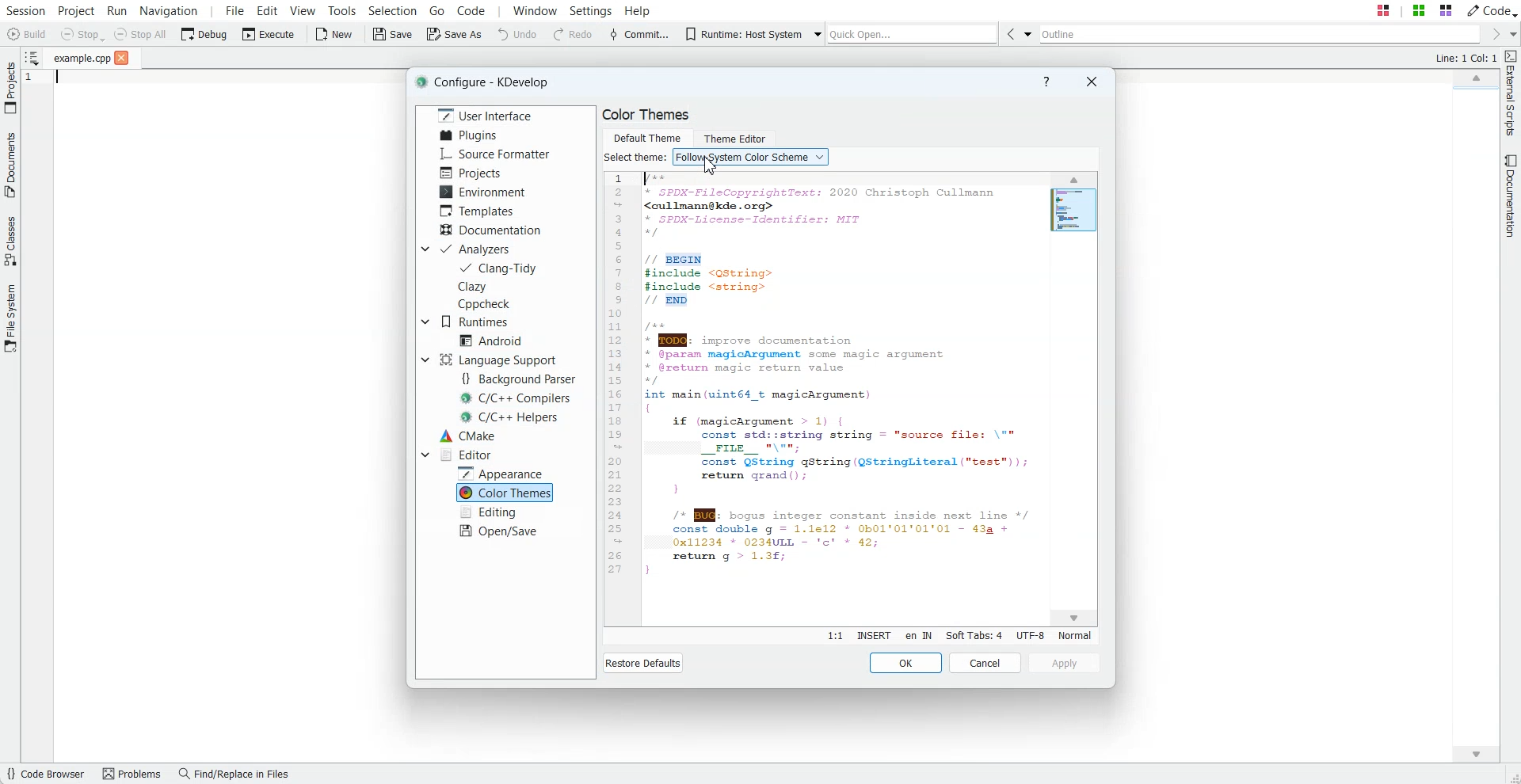 This screenshot has width=1521, height=784. Describe the element at coordinates (506, 493) in the screenshot. I see `Color Themes selected` at that location.